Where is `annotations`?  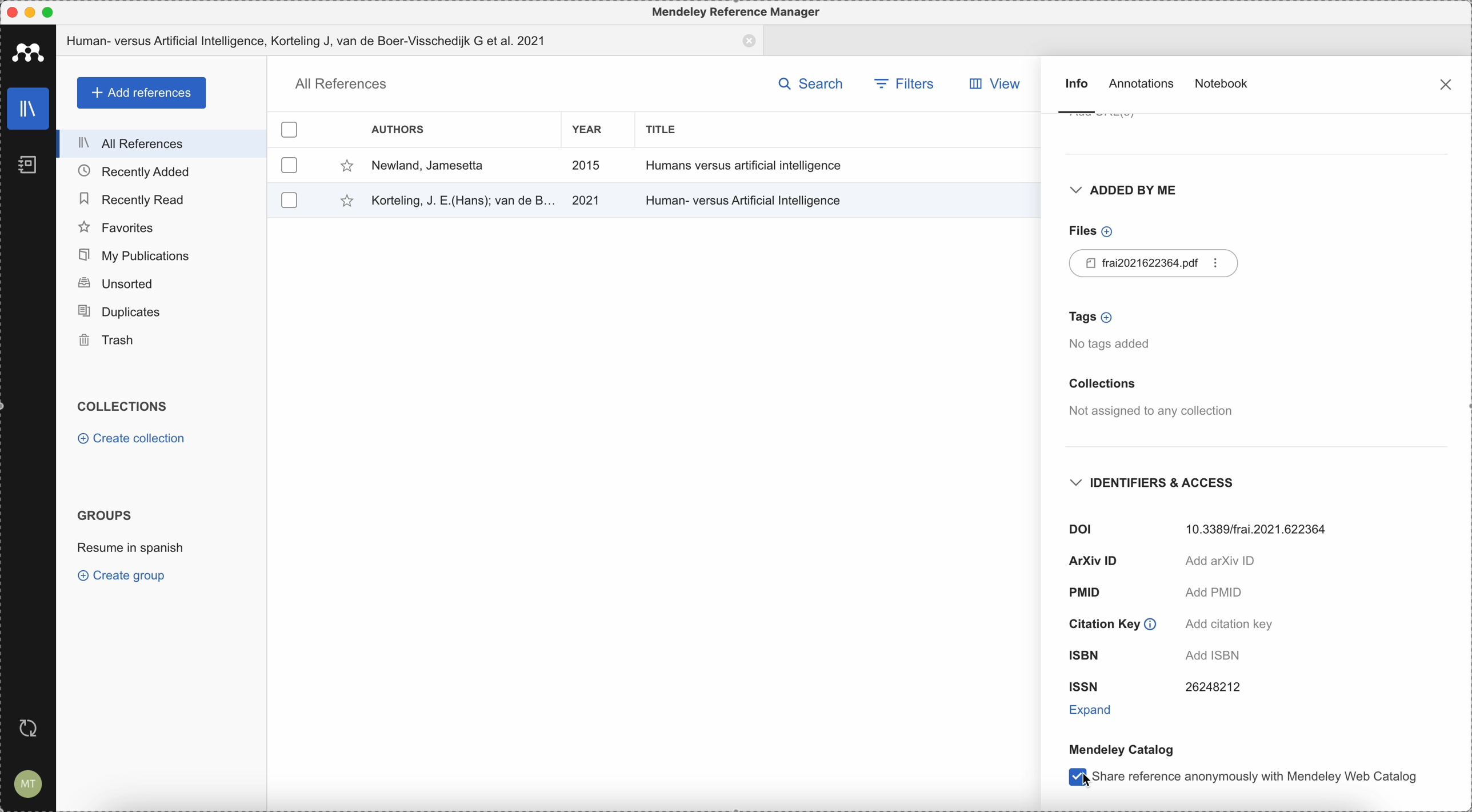
annotations is located at coordinates (1143, 86).